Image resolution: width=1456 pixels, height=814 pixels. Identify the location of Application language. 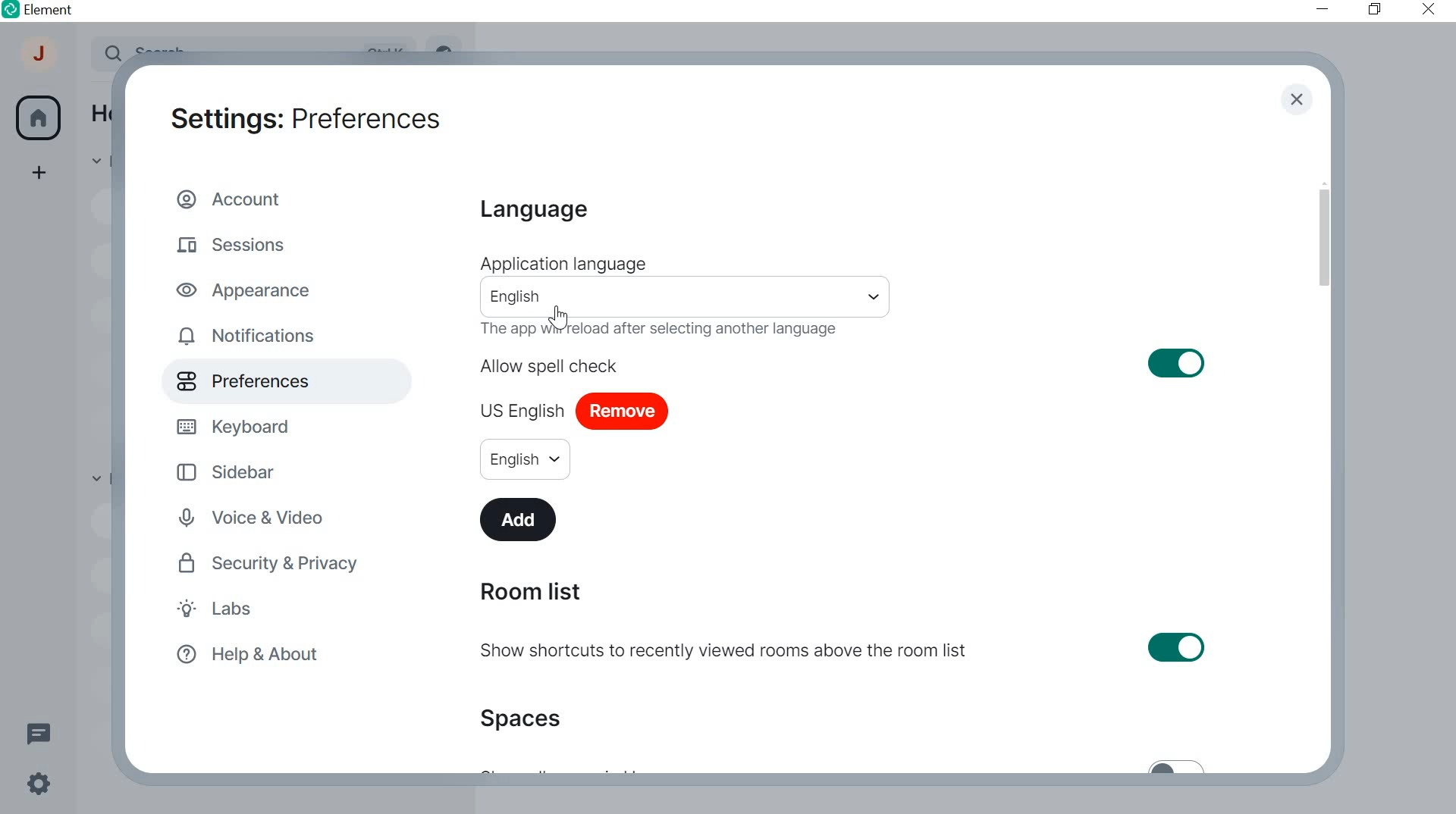
(562, 264).